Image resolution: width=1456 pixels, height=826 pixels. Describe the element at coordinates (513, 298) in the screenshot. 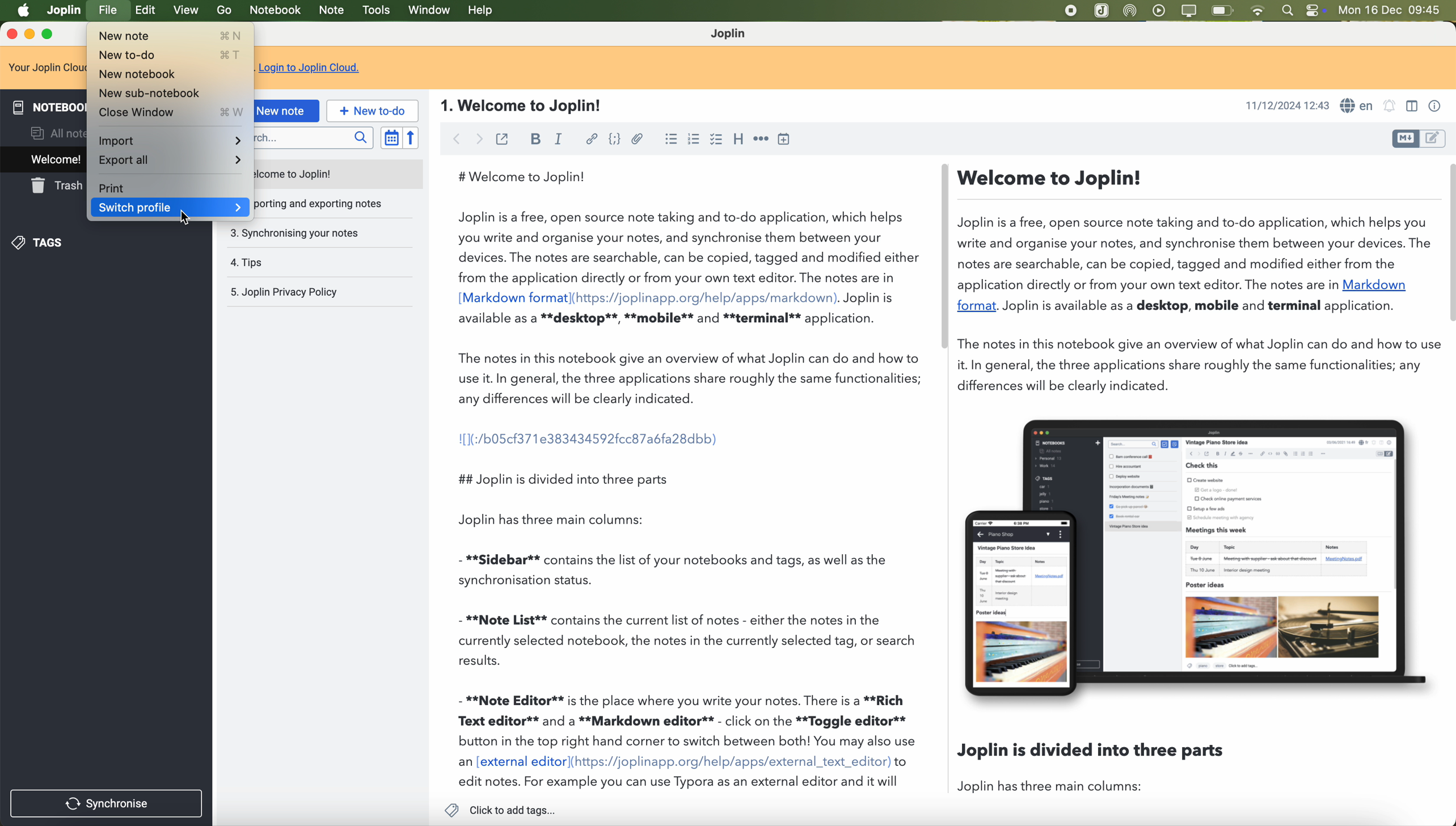

I see `[Markdown format]` at that location.